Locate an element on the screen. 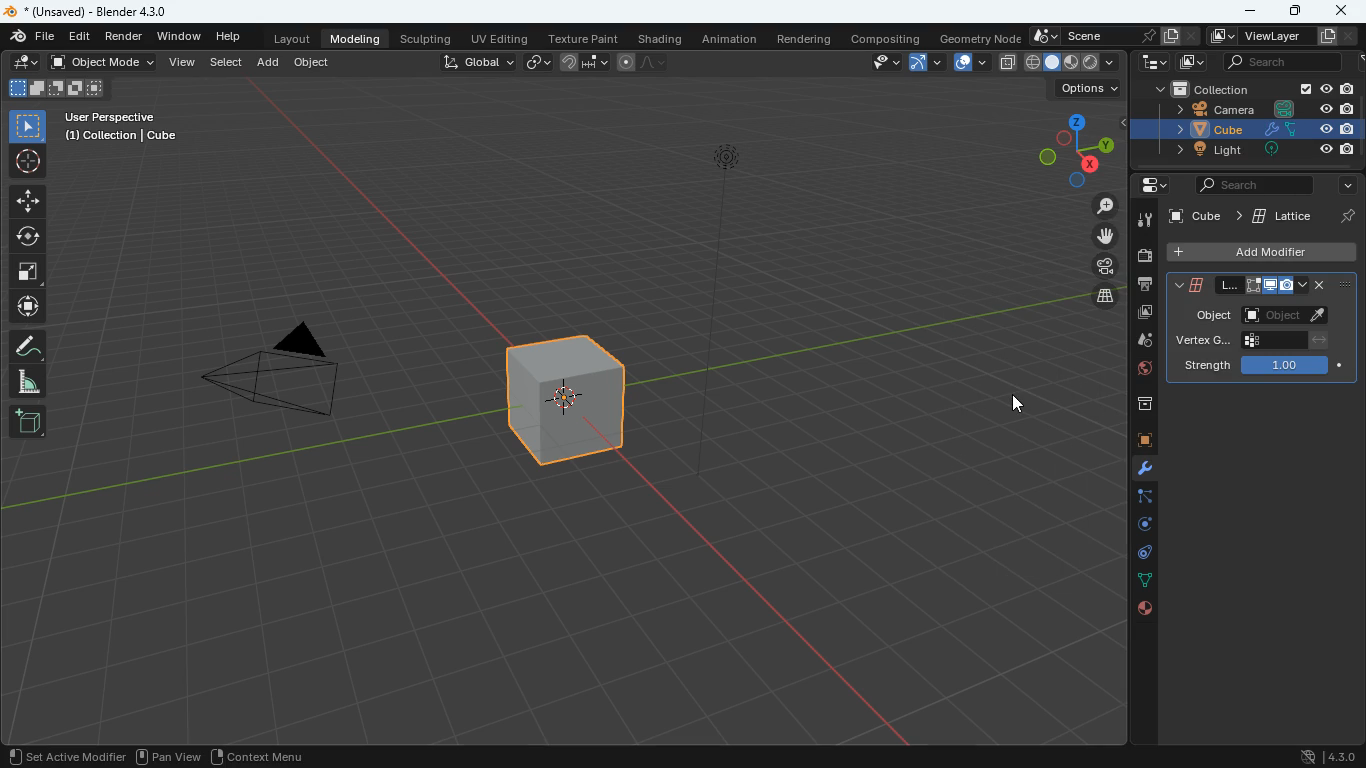 The width and height of the screenshot is (1366, 768). new is located at coordinates (30, 423).